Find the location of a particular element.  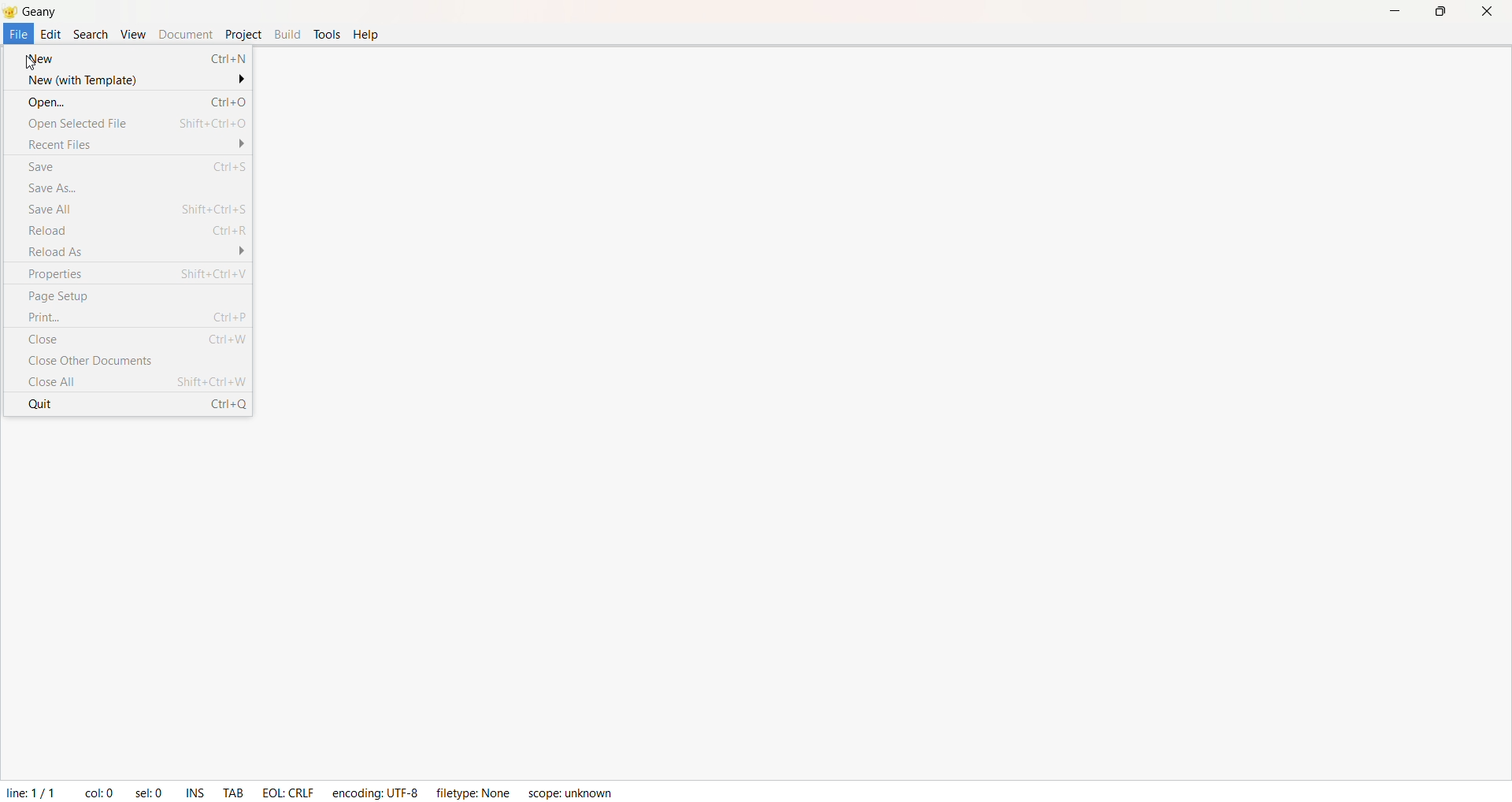

Document is located at coordinates (185, 35).